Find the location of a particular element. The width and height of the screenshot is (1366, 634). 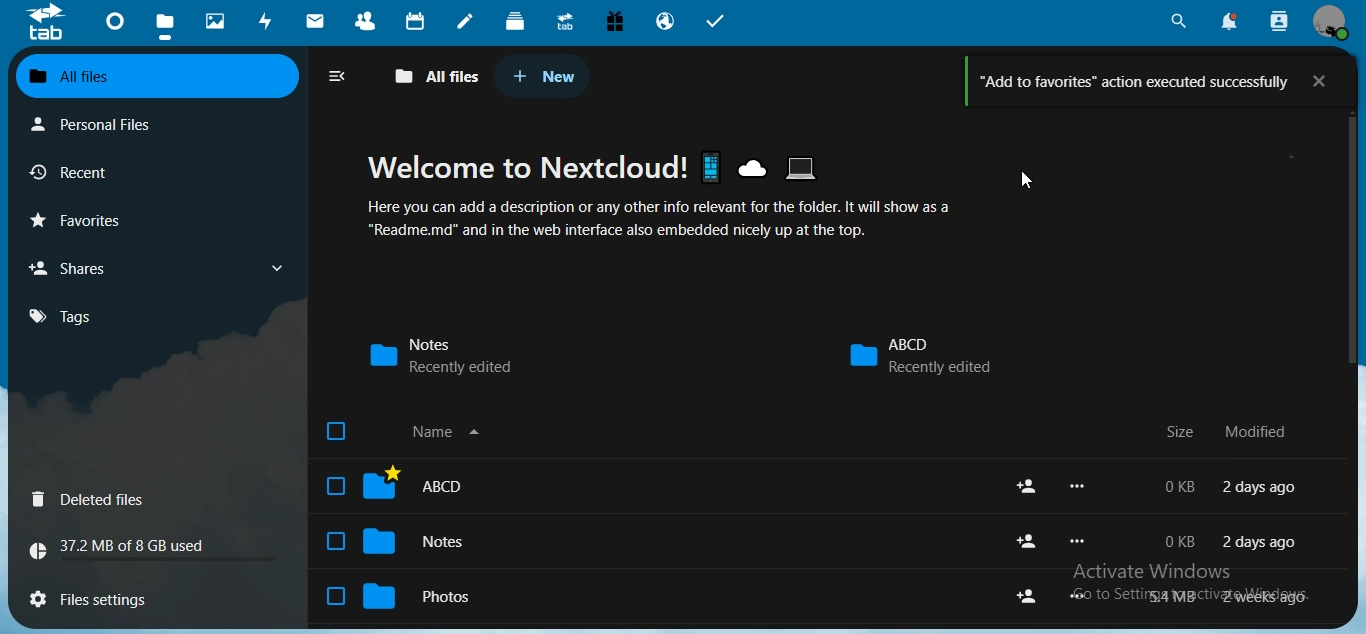

notifications is located at coordinates (1230, 21).